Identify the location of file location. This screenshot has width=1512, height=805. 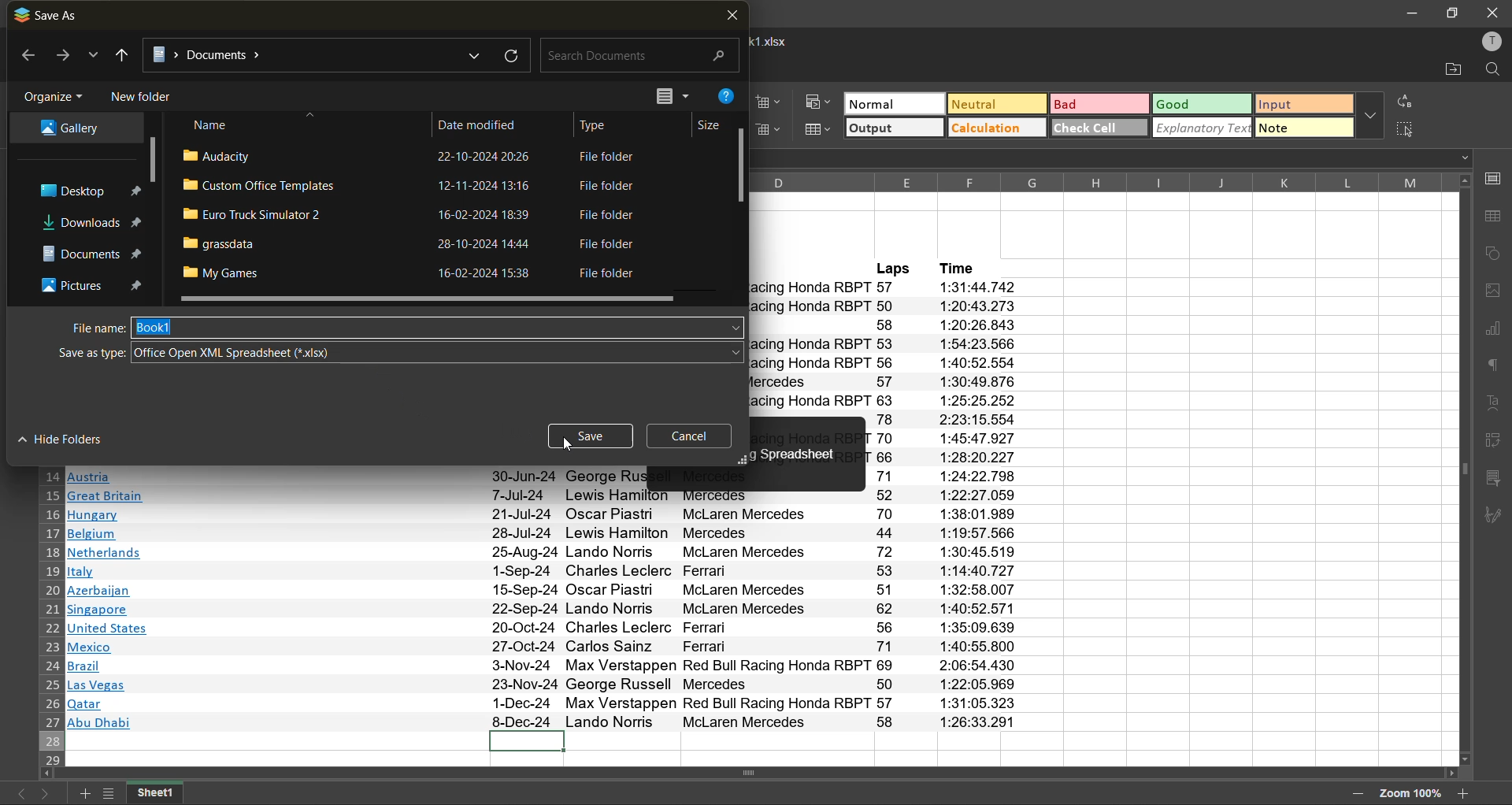
(304, 54).